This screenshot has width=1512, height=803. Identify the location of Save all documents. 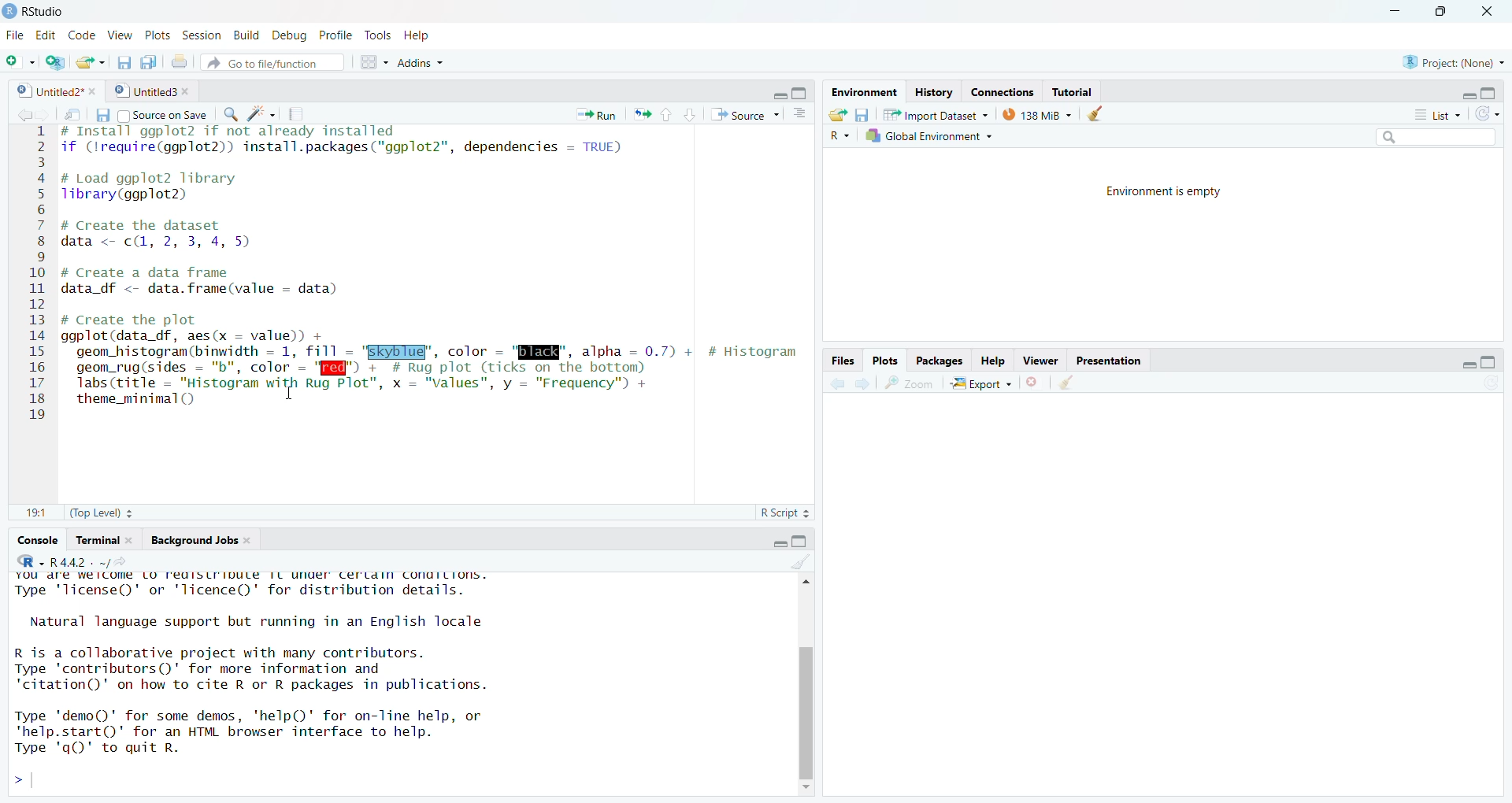
(152, 61).